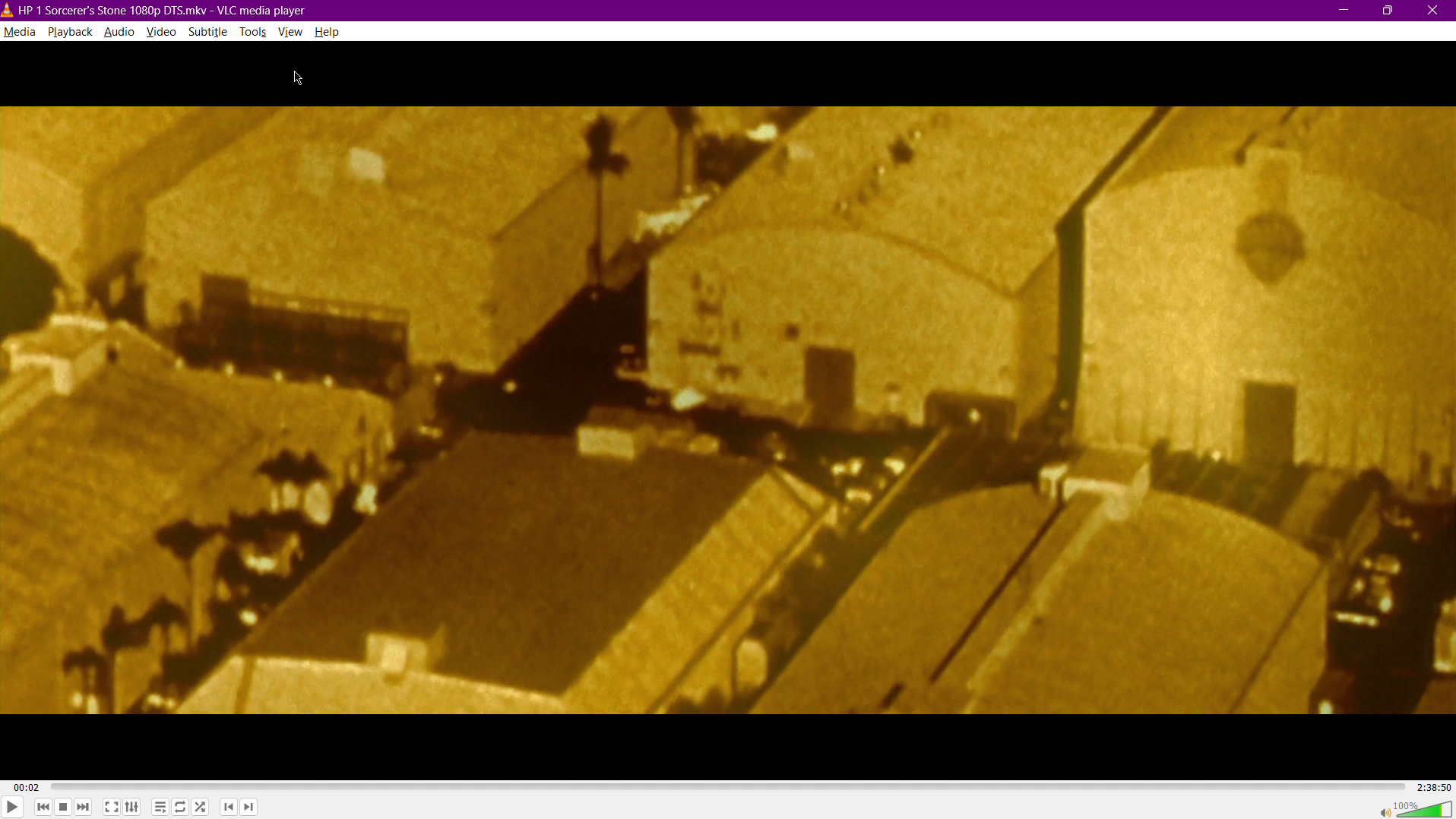 The width and height of the screenshot is (1456, 819). I want to click on Video, so click(163, 33).